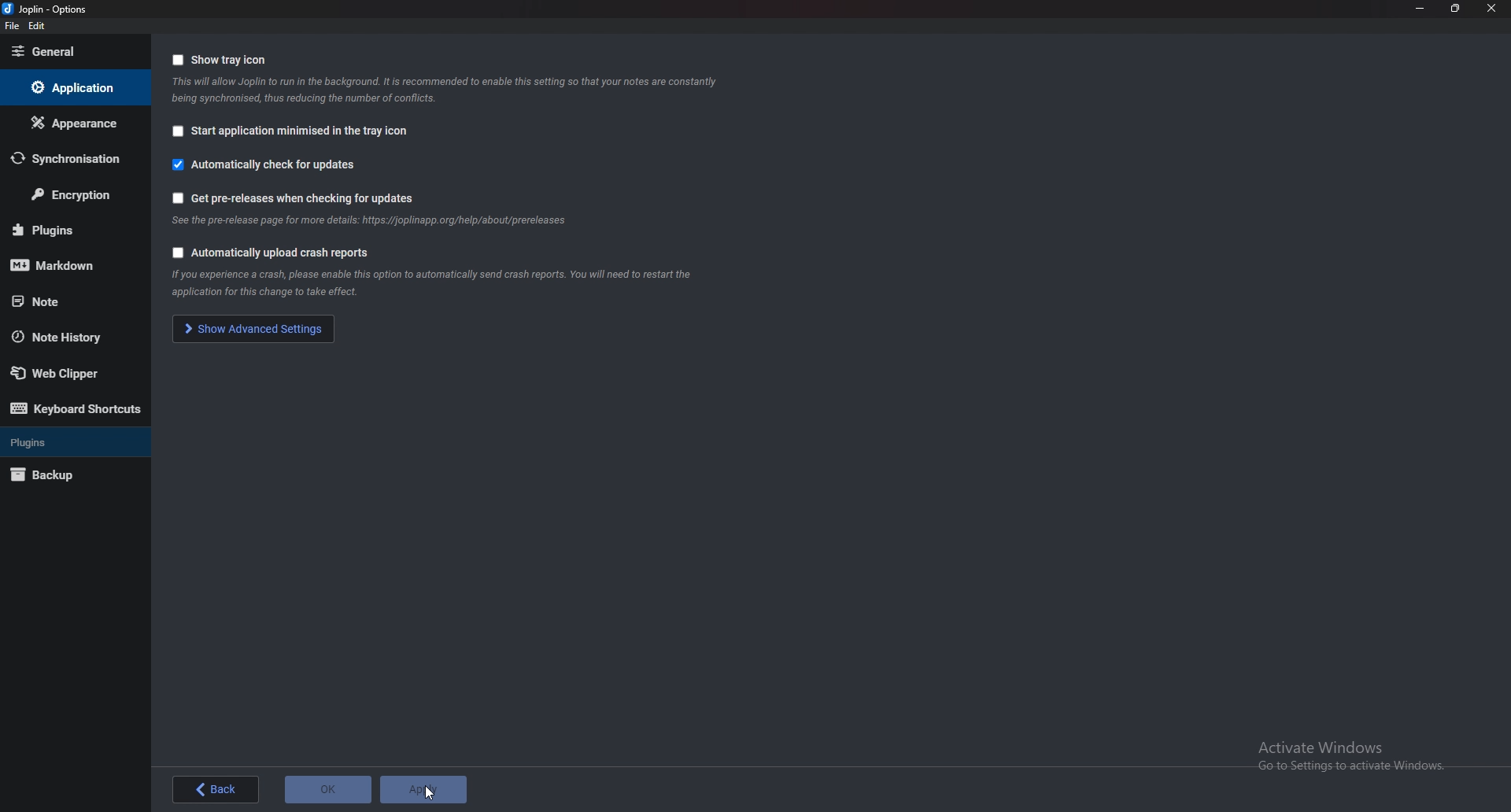 Image resolution: width=1511 pixels, height=812 pixels. What do you see at coordinates (256, 328) in the screenshot?
I see `show advanced settings` at bounding box center [256, 328].